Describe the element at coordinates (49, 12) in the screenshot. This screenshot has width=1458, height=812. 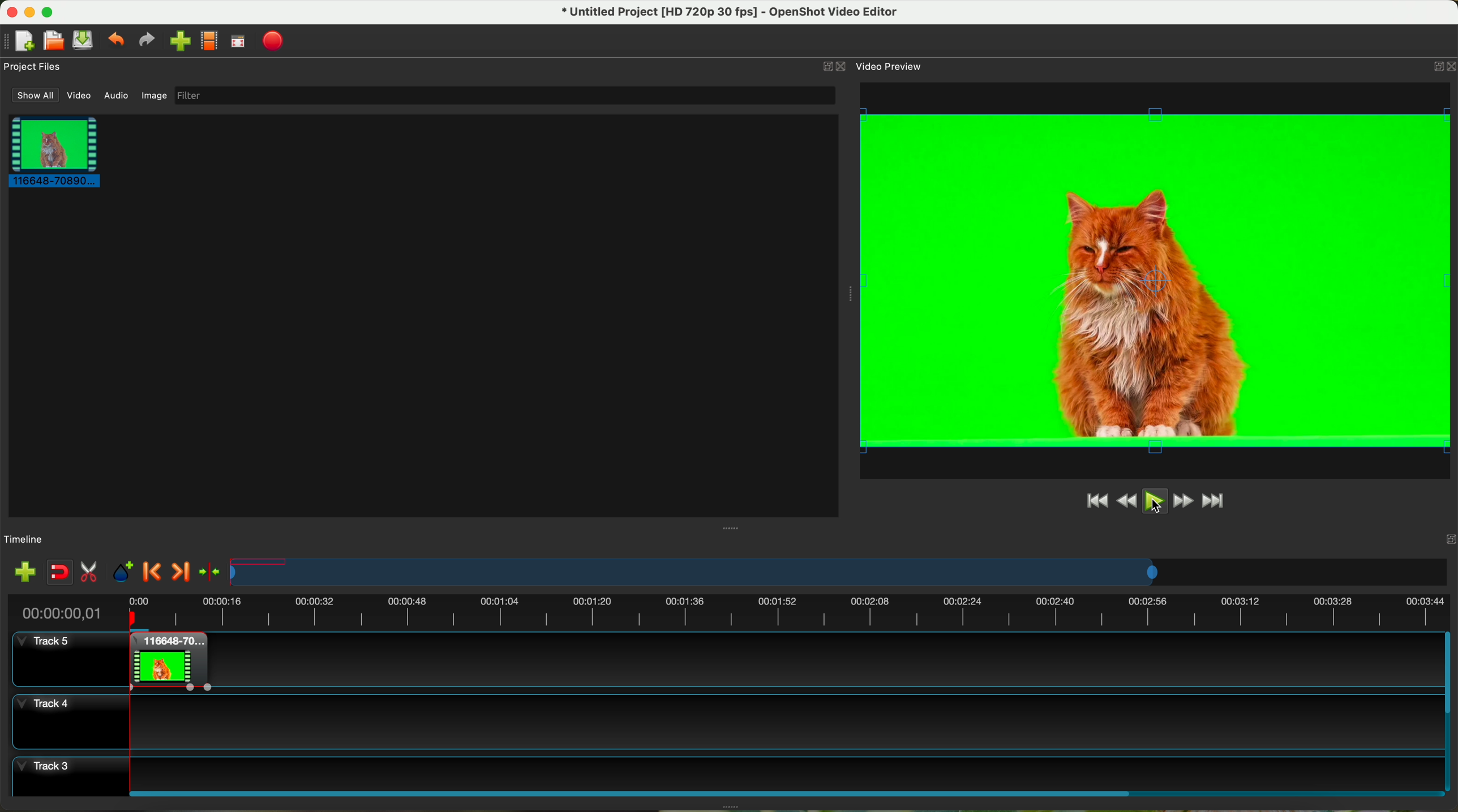
I see `maximize program` at that location.